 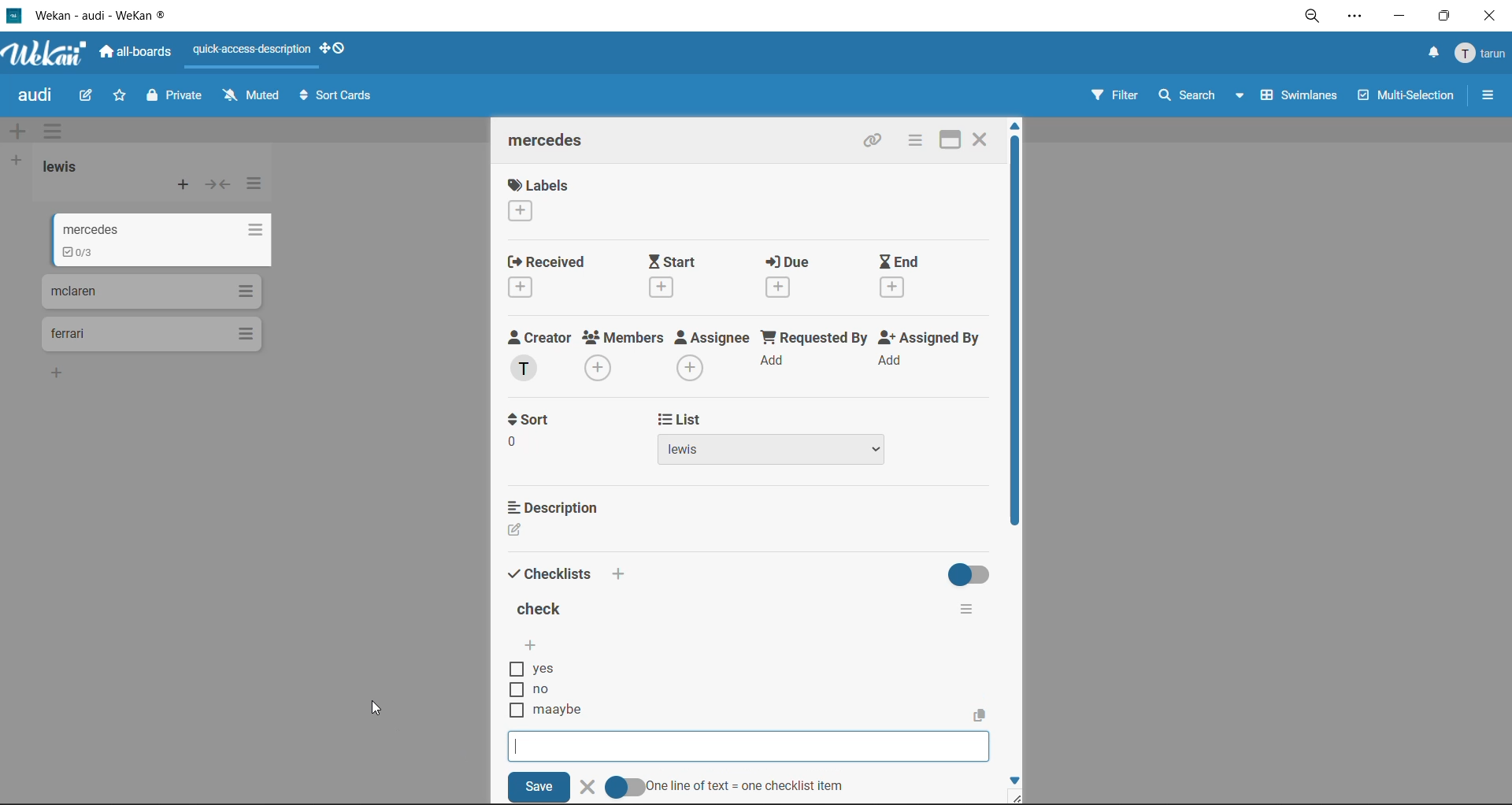 What do you see at coordinates (57, 131) in the screenshot?
I see `swimlane actions` at bounding box center [57, 131].